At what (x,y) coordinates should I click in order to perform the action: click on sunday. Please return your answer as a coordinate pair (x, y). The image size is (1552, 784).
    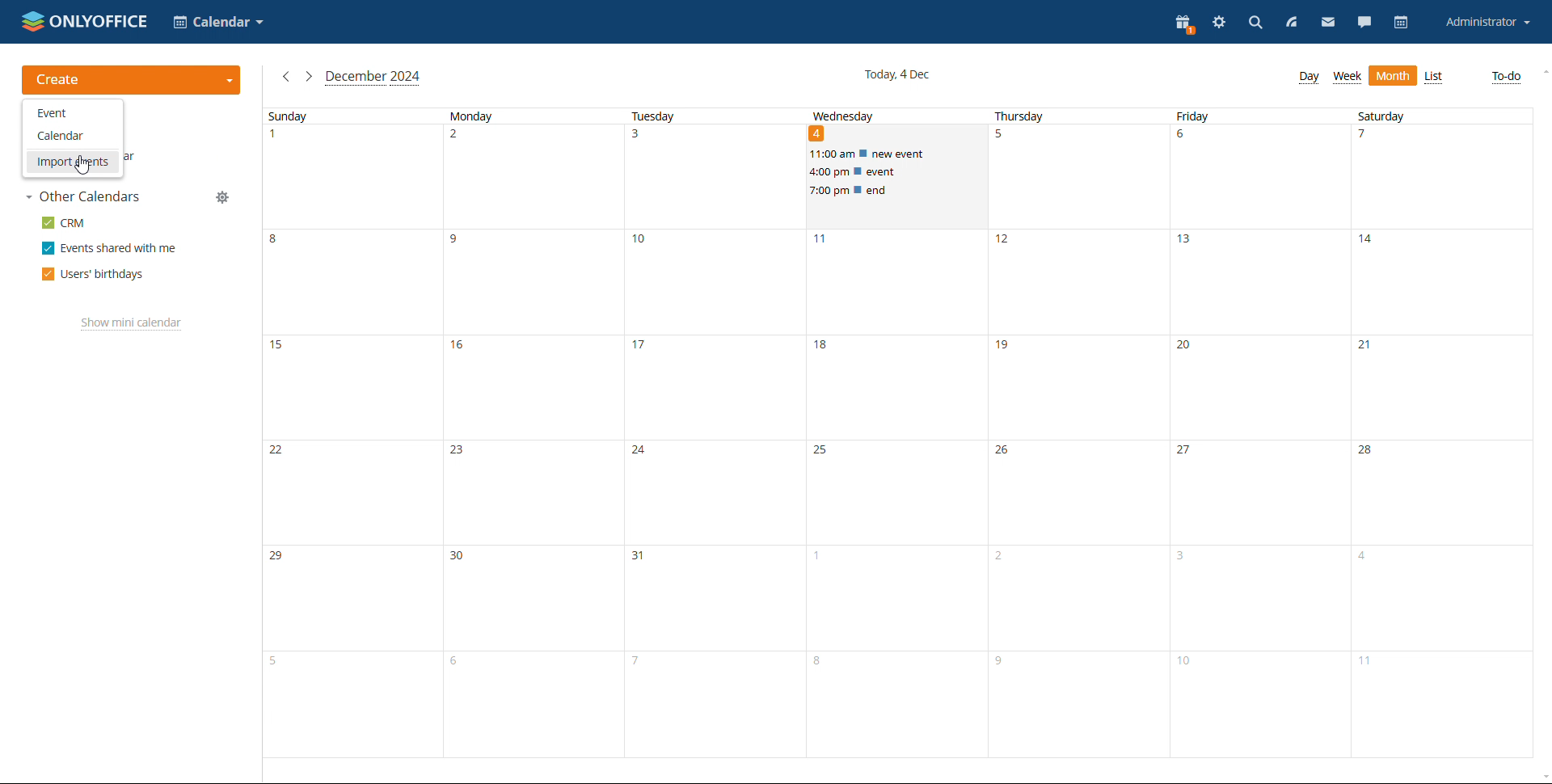
    Looking at the image, I should click on (351, 433).